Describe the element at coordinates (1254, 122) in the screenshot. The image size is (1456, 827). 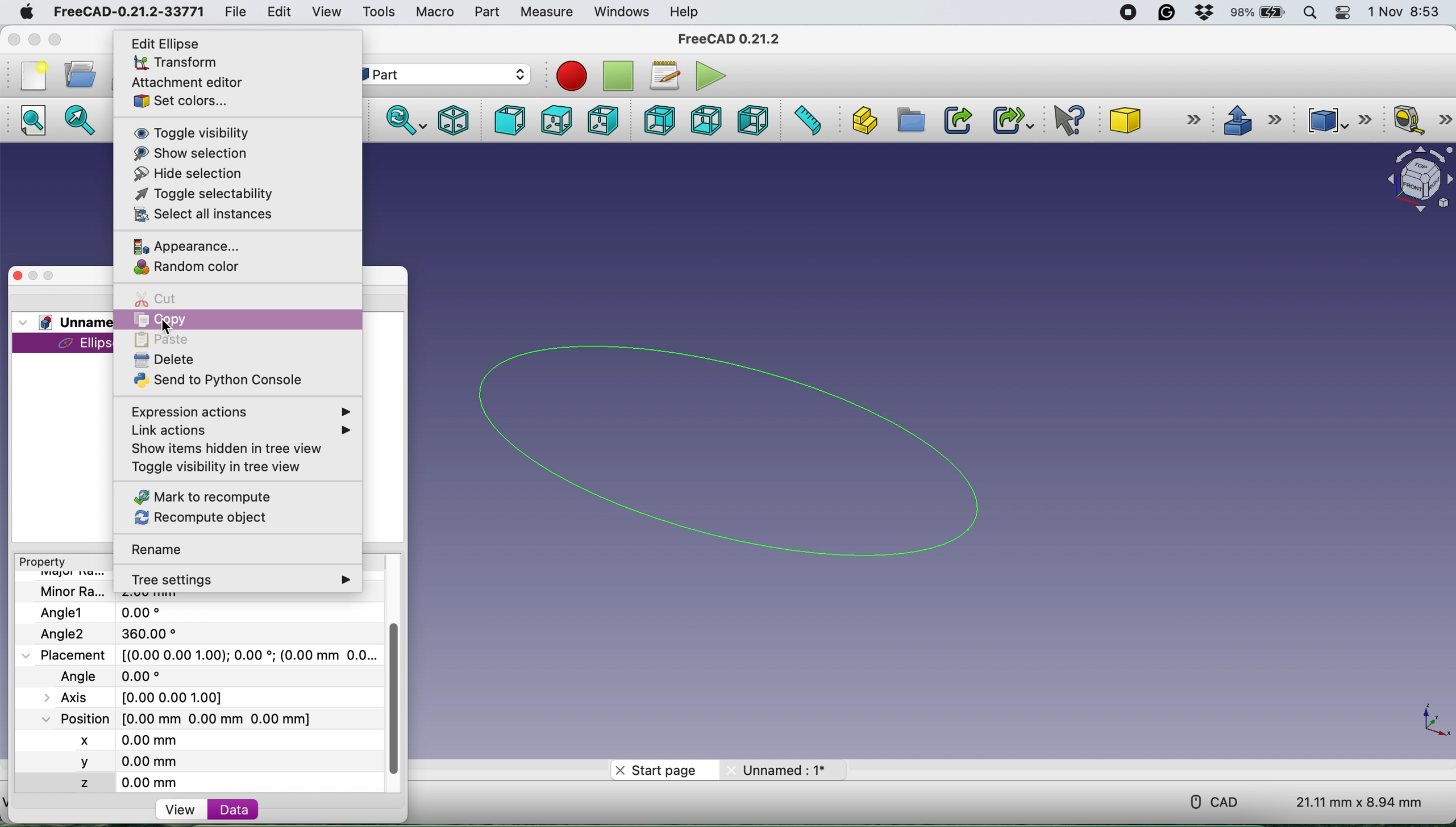
I see `extrude` at that location.